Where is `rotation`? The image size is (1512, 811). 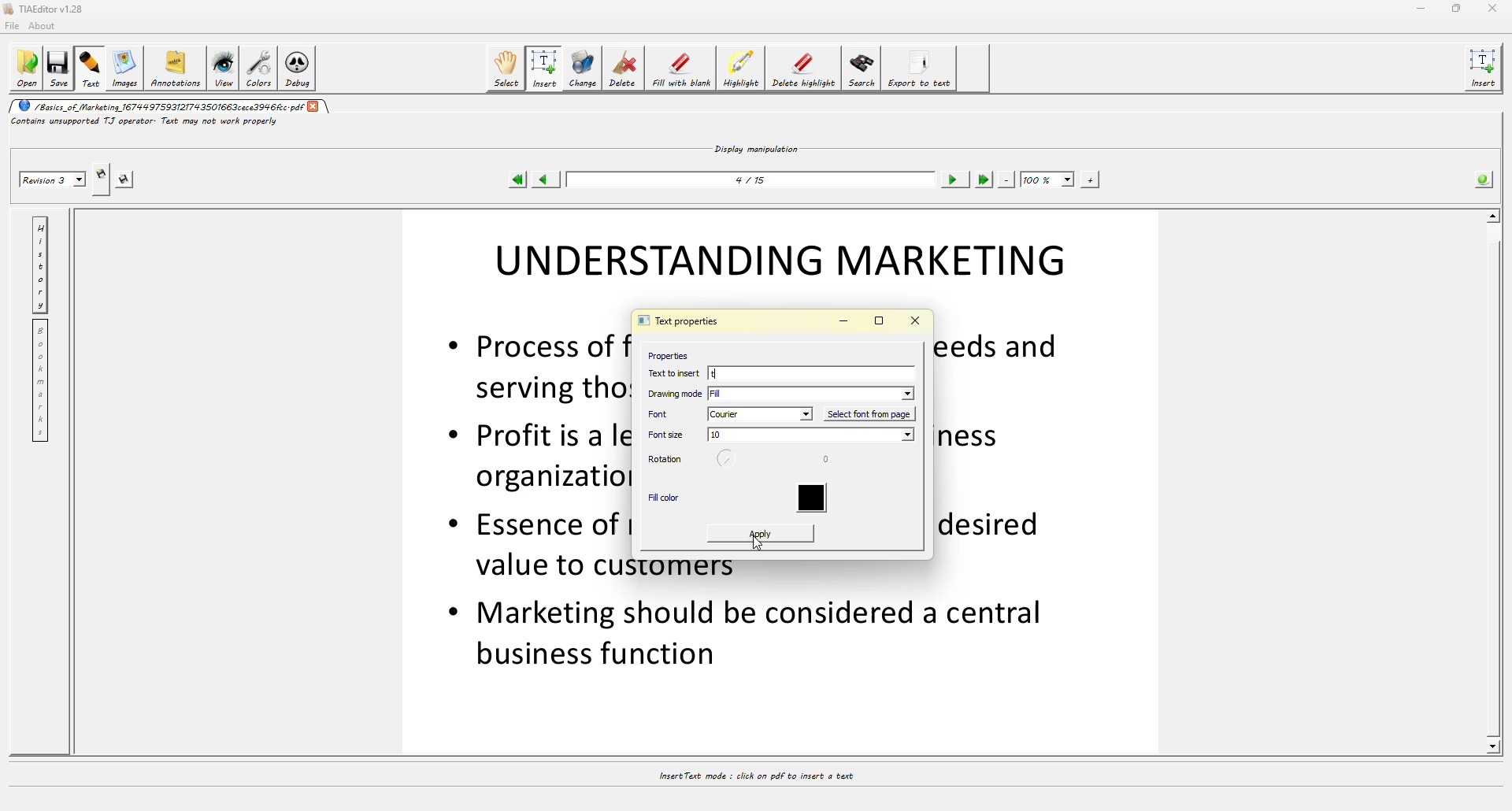
rotation is located at coordinates (665, 460).